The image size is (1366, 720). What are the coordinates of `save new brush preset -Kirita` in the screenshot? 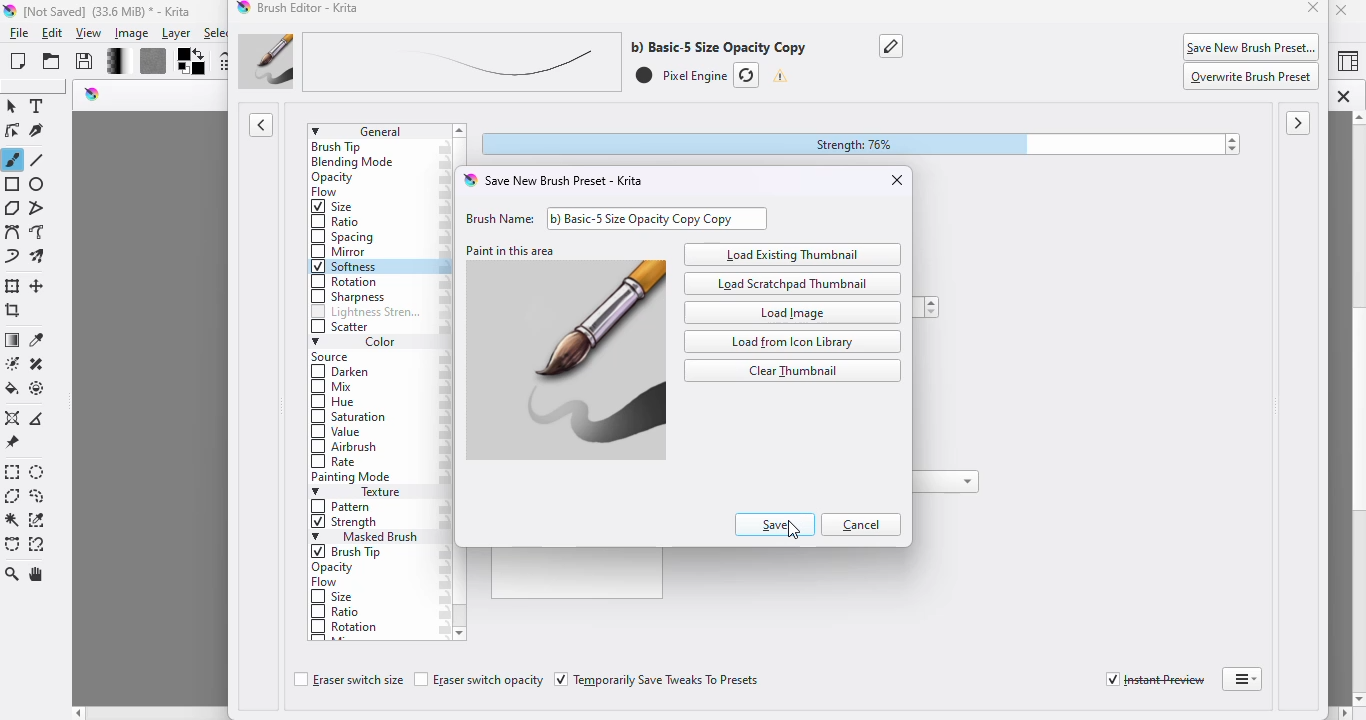 It's located at (566, 181).